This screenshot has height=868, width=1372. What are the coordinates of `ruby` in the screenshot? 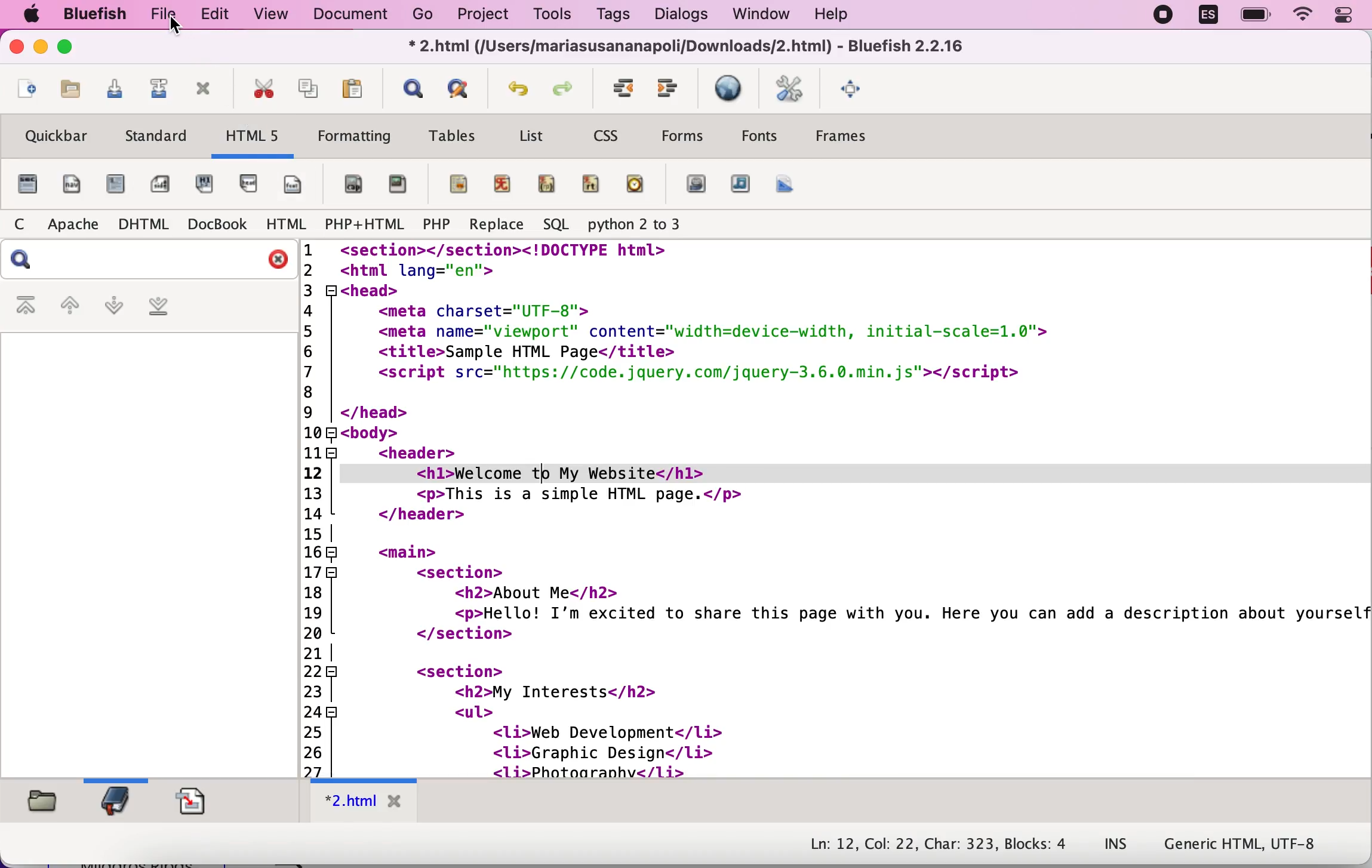 It's located at (499, 184).